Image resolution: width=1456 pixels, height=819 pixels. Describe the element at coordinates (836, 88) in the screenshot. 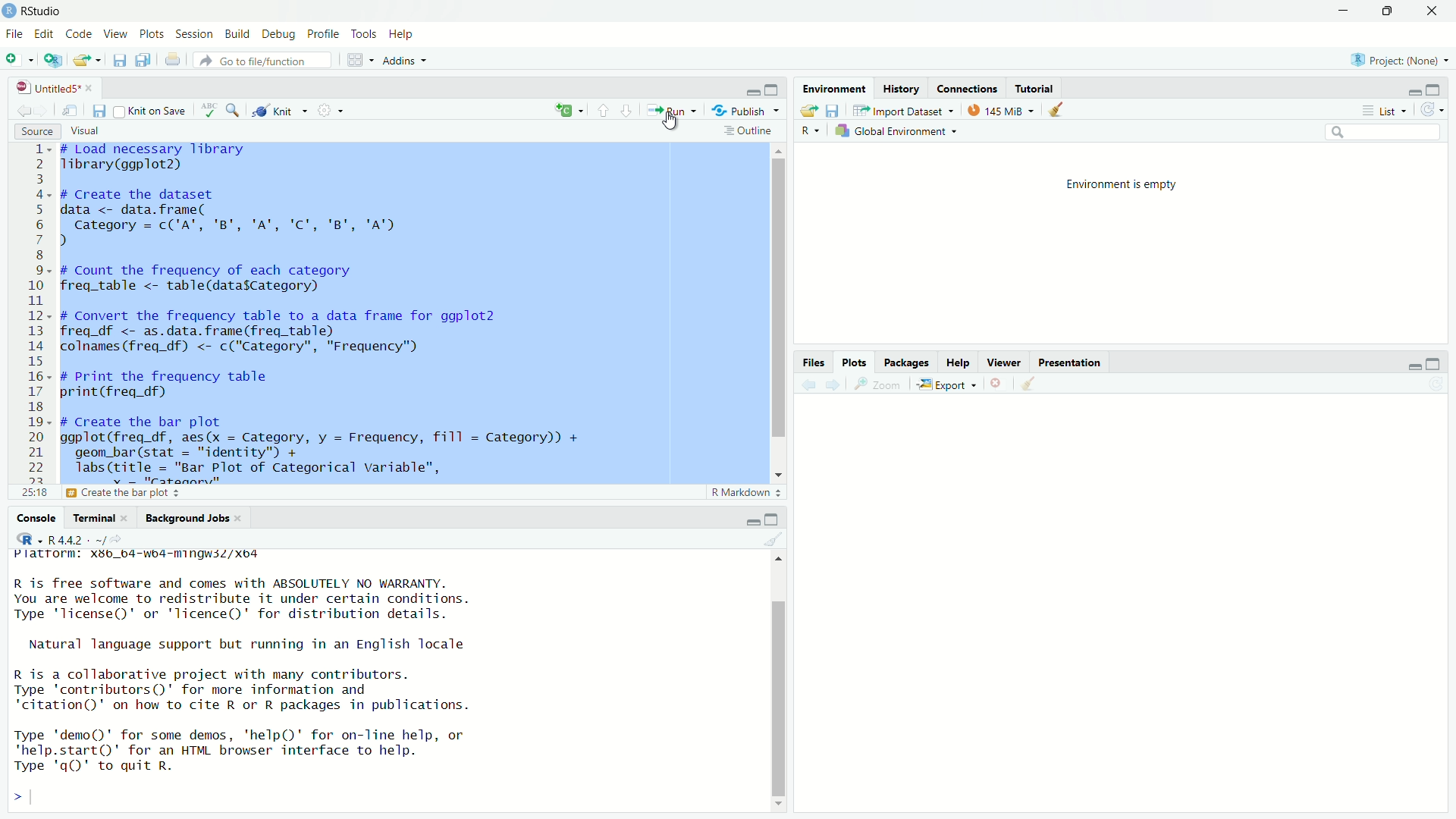

I see `environment` at that location.